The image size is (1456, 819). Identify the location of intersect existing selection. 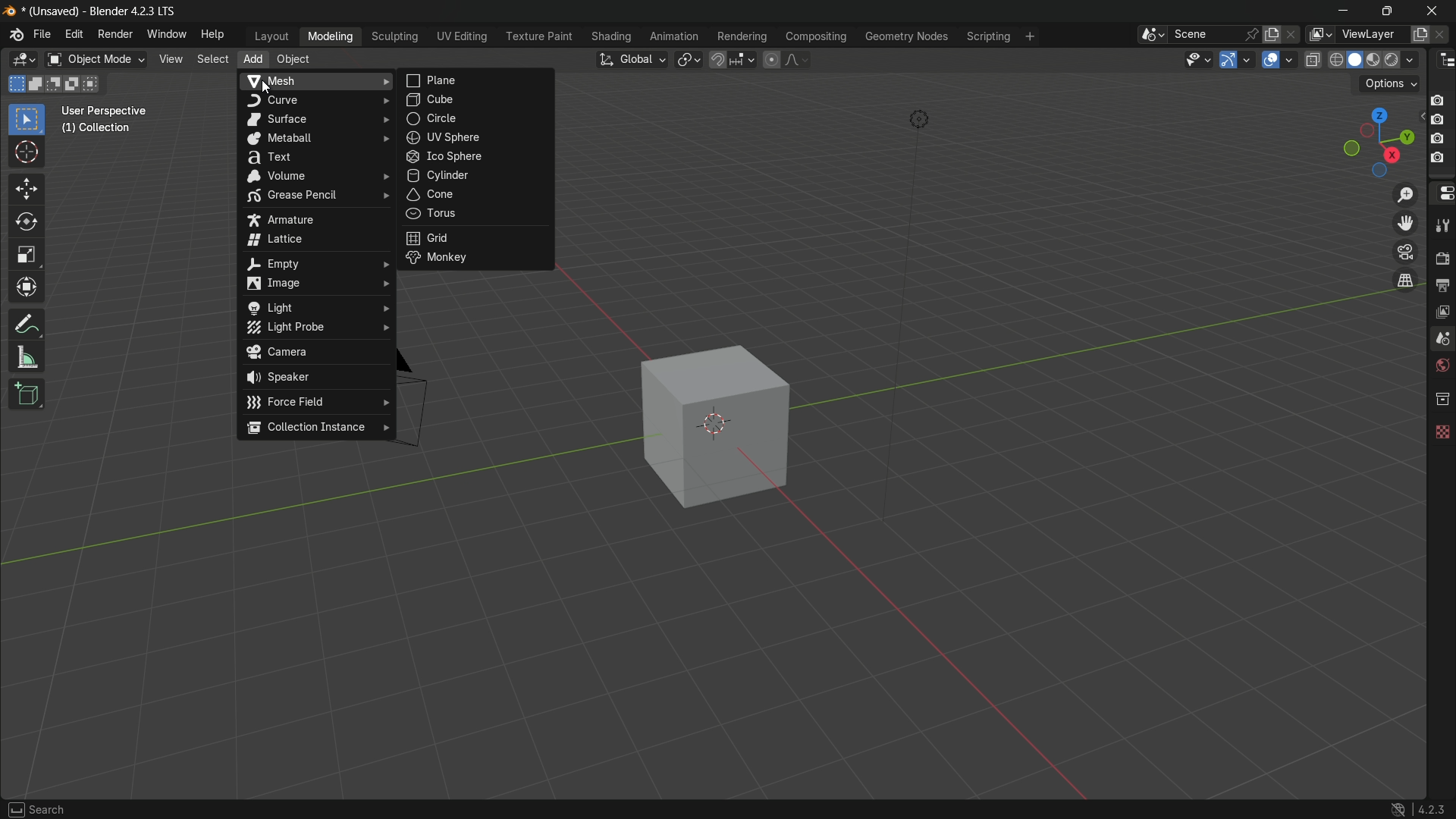
(96, 83).